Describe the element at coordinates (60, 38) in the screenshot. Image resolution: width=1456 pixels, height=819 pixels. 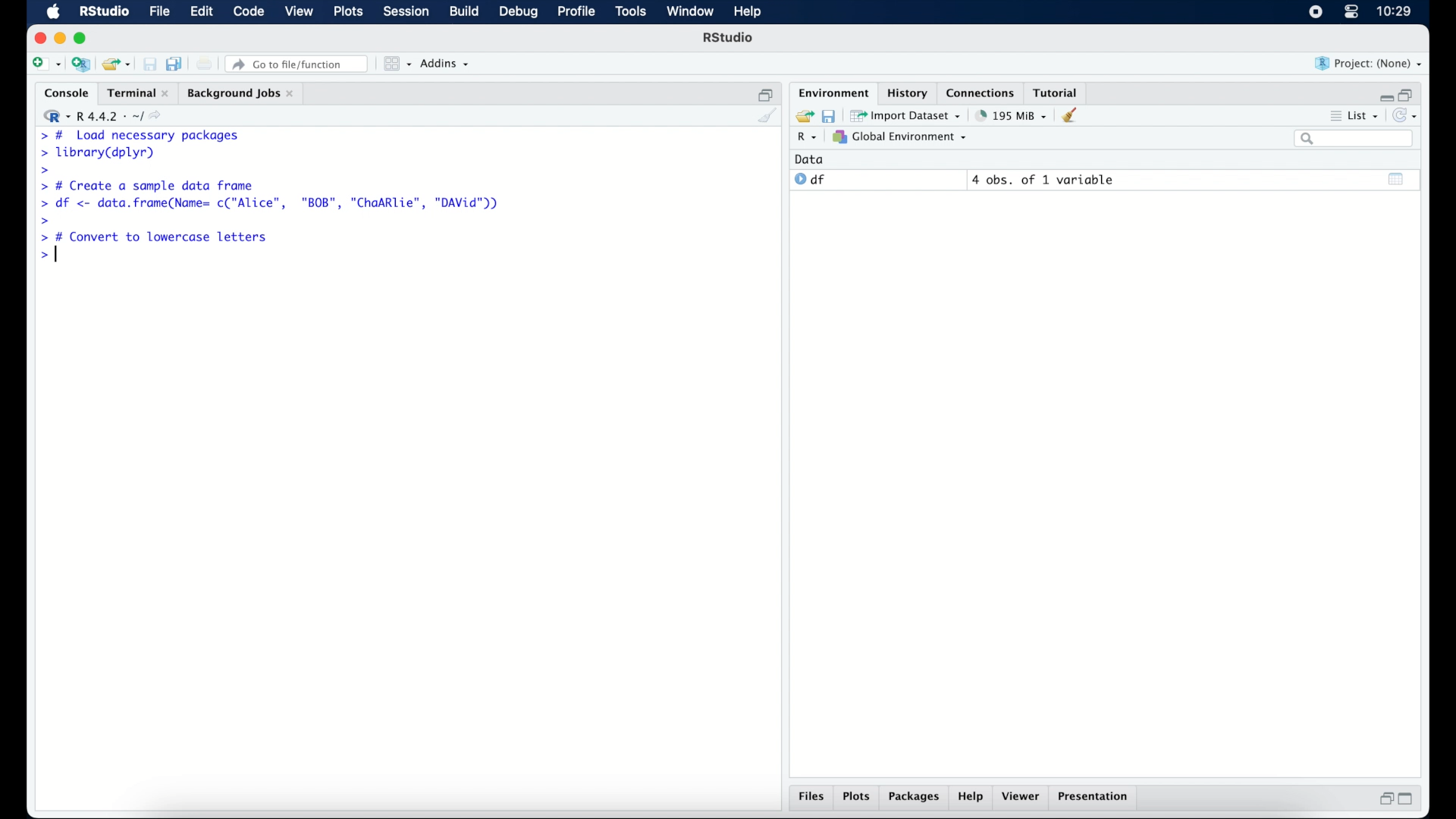
I see `minimize` at that location.